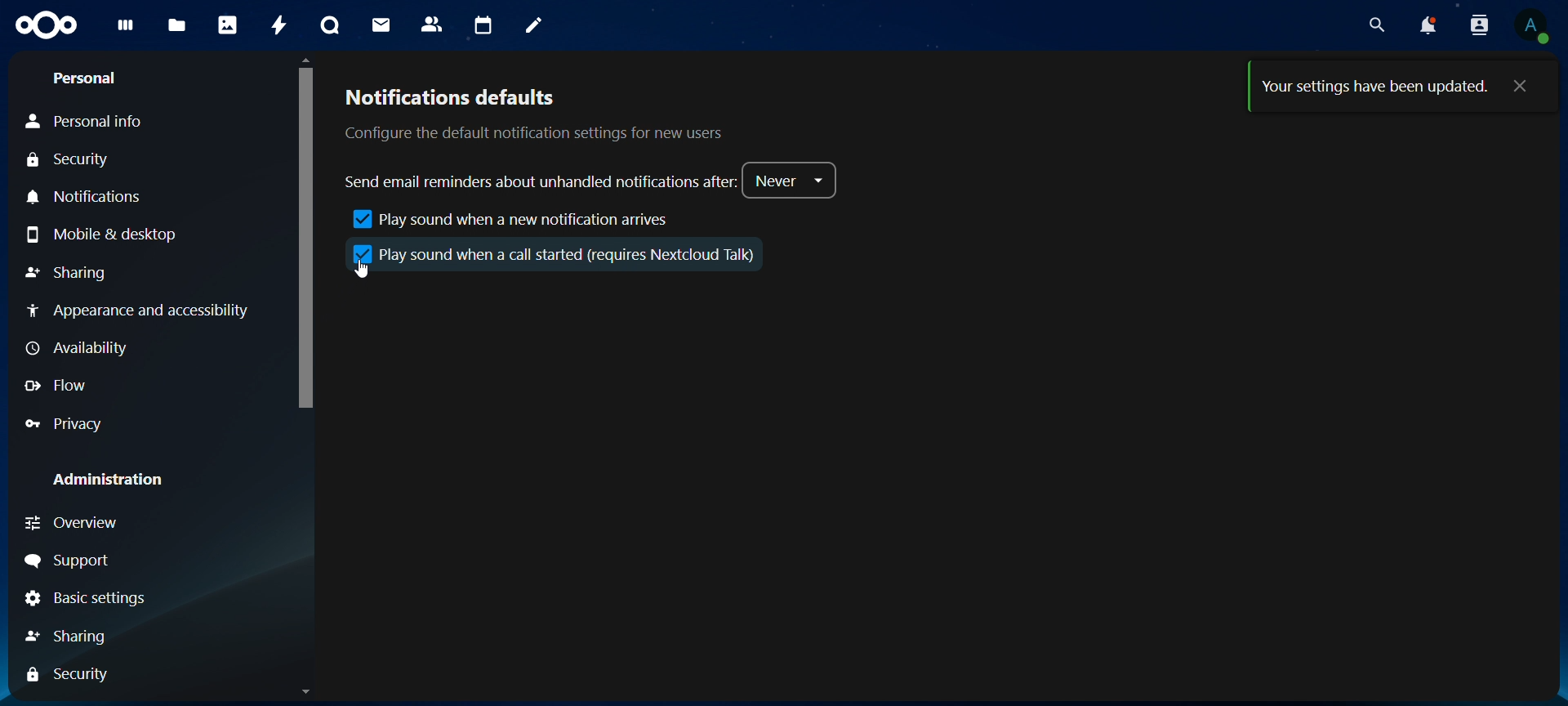 This screenshot has width=1568, height=706. Describe the element at coordinates (80, 120) in the screenshot. I see `Personal Info` at that location.